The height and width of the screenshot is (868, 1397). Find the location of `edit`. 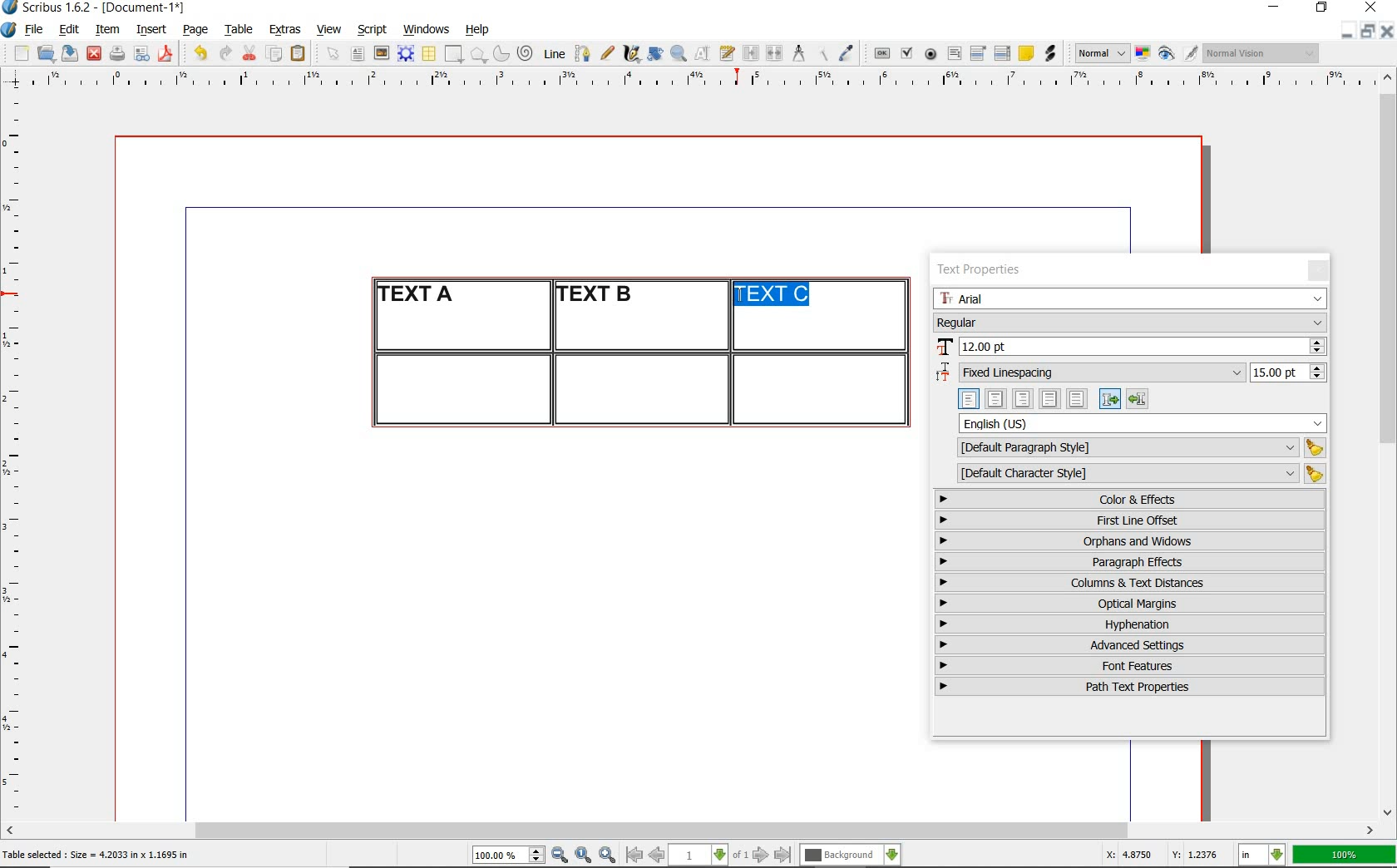

edit is located at coordinates (70, 29).